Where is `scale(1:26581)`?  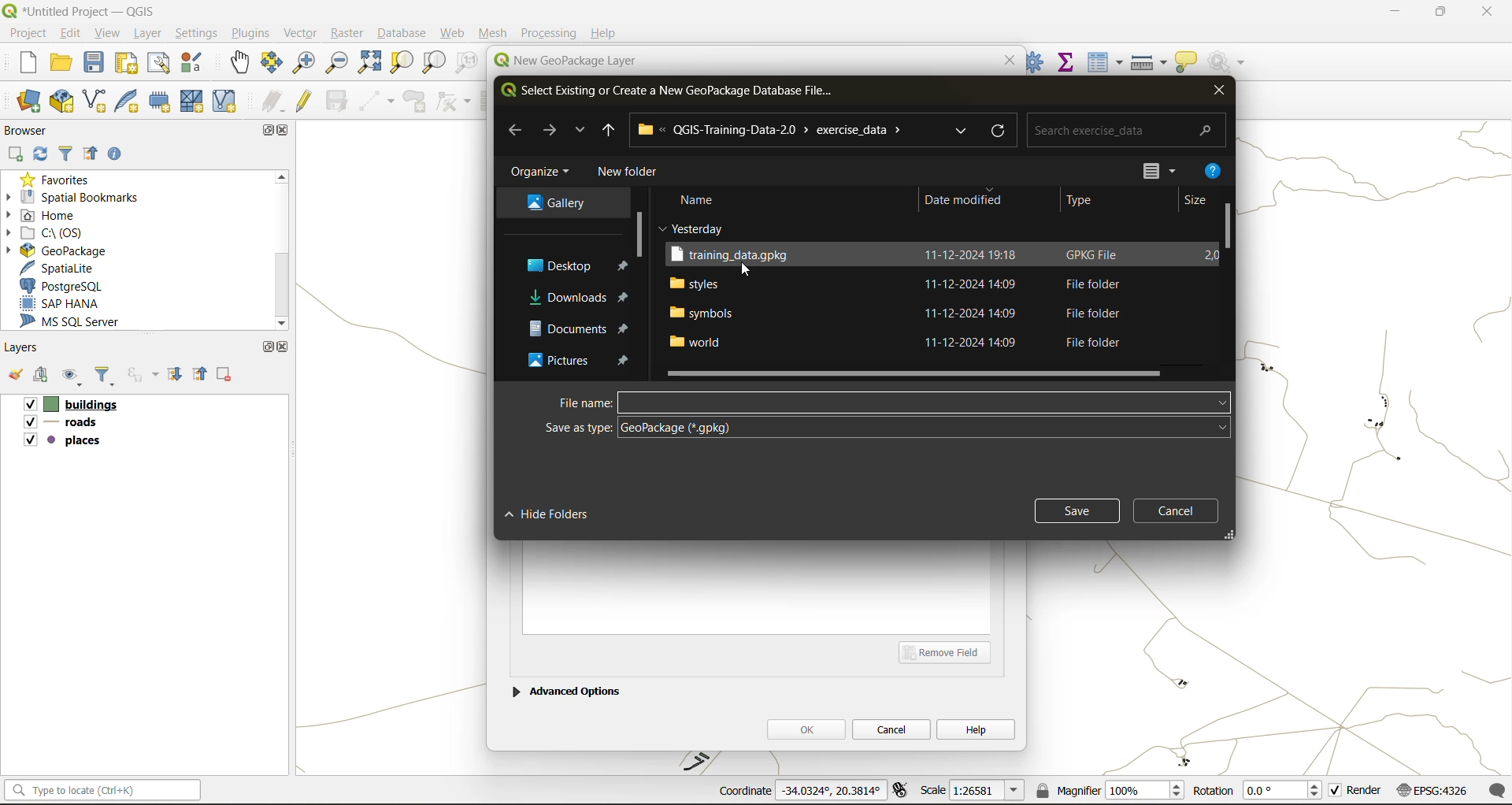
scale(1:26581) is located at coordinates (973, 790).